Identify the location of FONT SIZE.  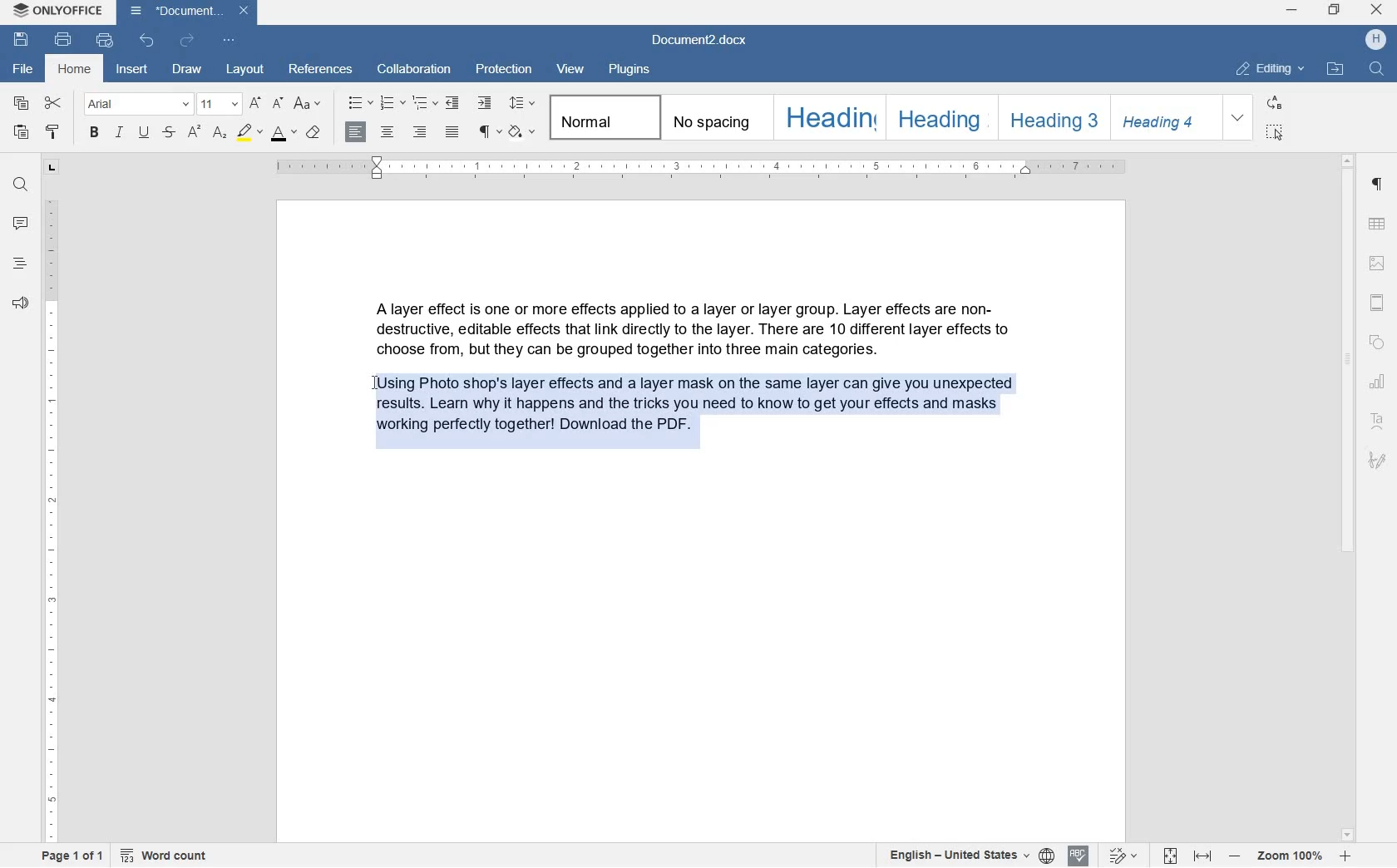
(285, 135).